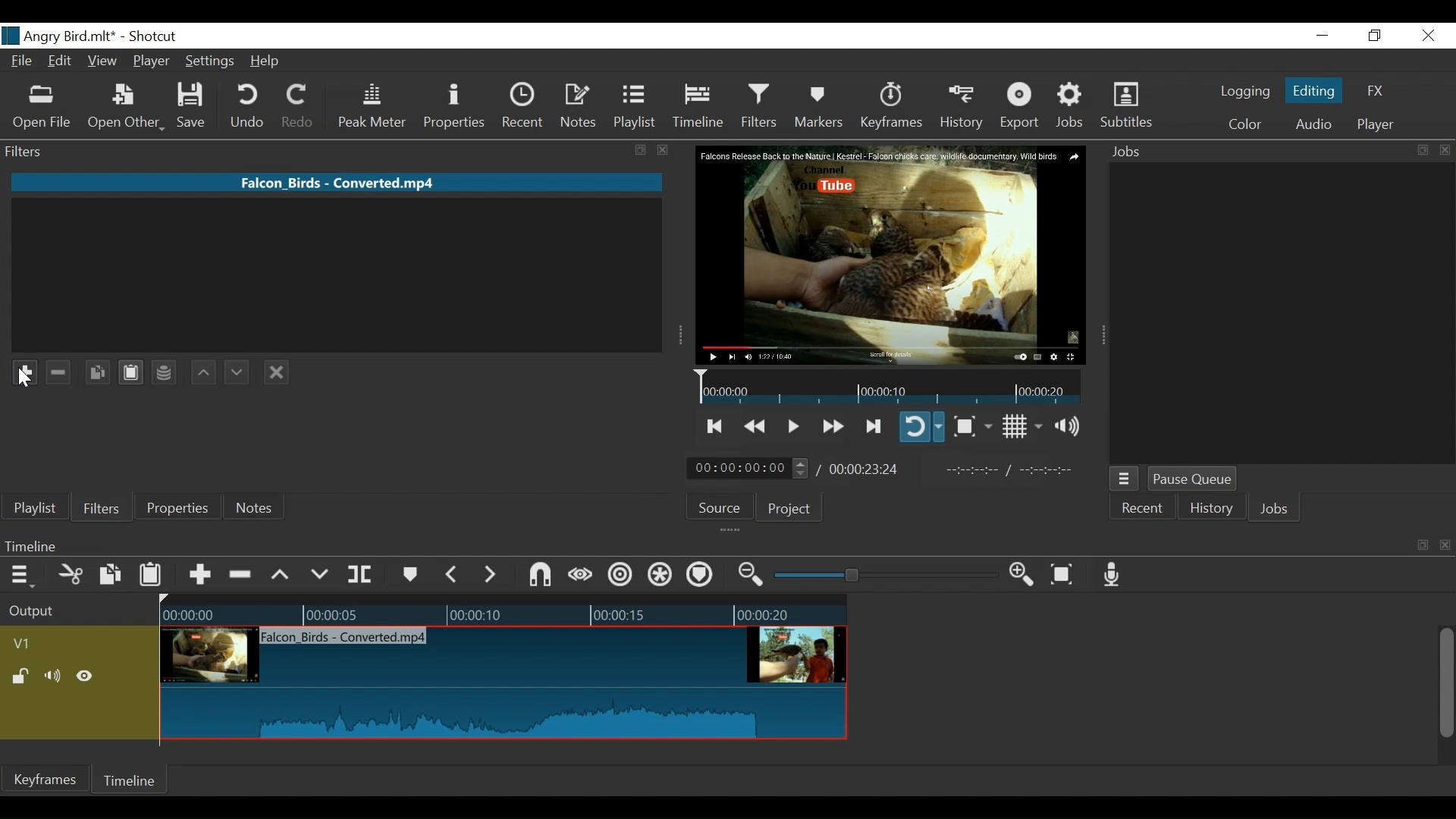  I want to click on Jobs, so click(1131, 152).